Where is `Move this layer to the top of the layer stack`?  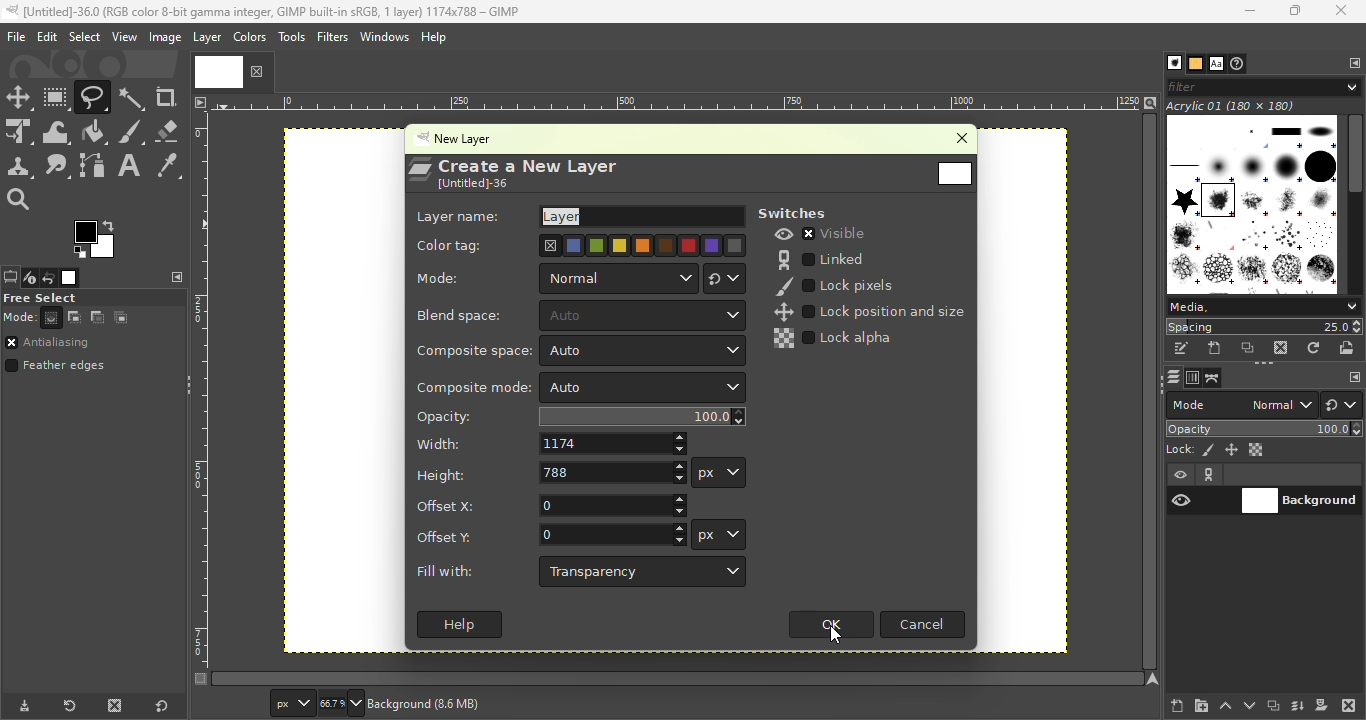
Move this layer to the top of the layer stack is located at coordinates (1224, 706).